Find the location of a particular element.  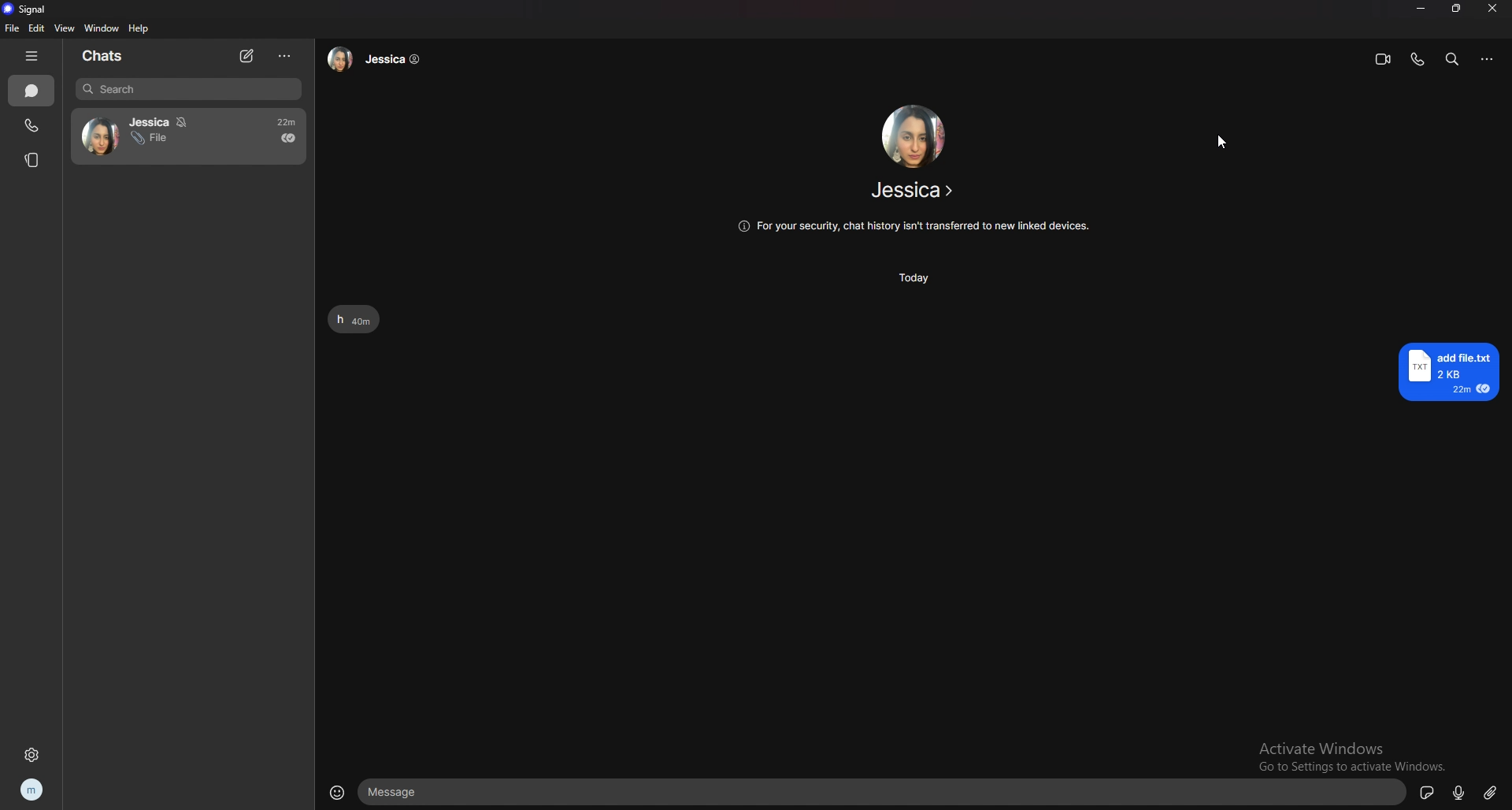

signal is located at coordinates (27, 9).